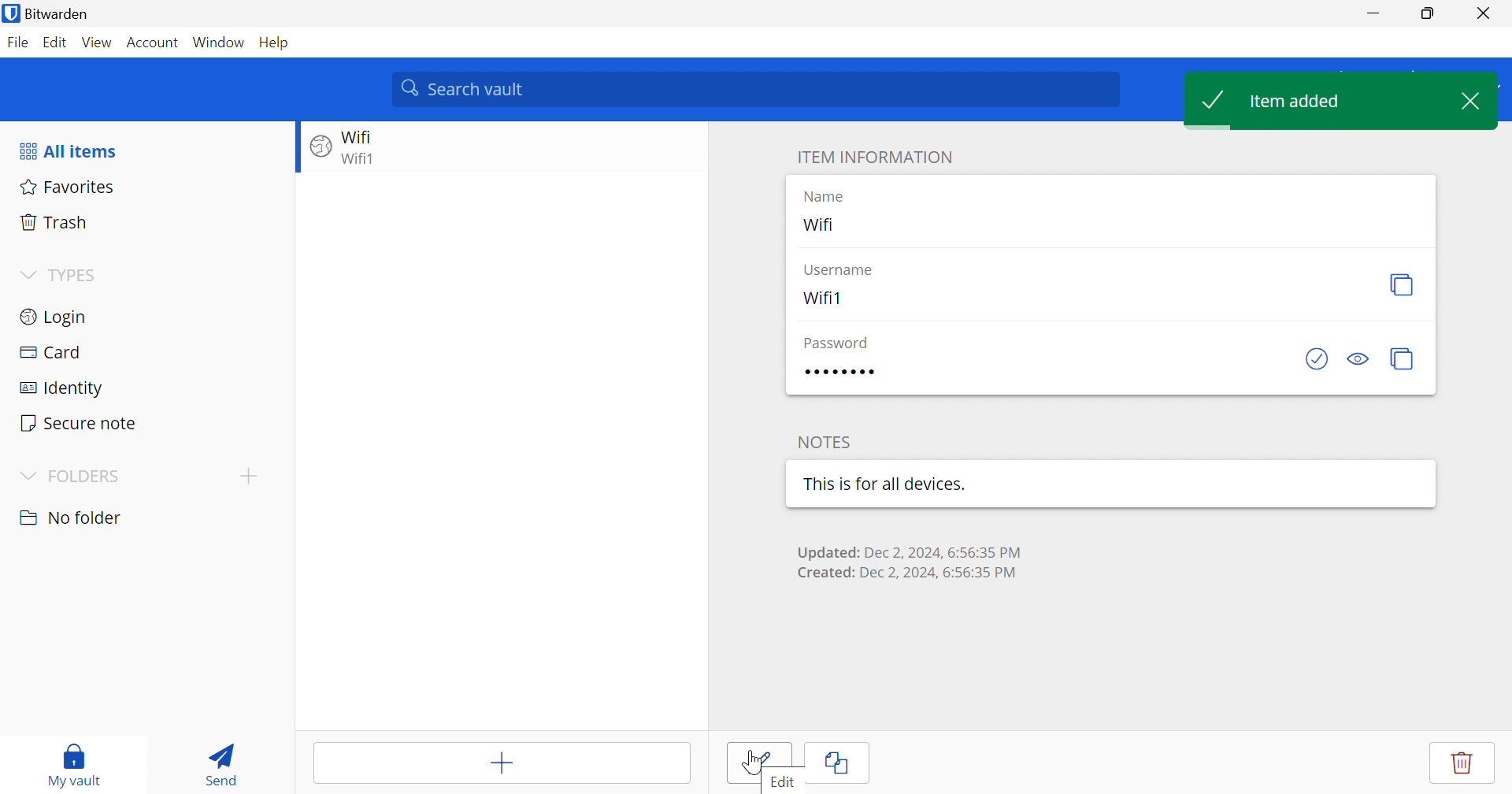 The image size is (1512, 794). Describe the element at coordinates (50, 352) in the screenshot. I see `Card` at that location.